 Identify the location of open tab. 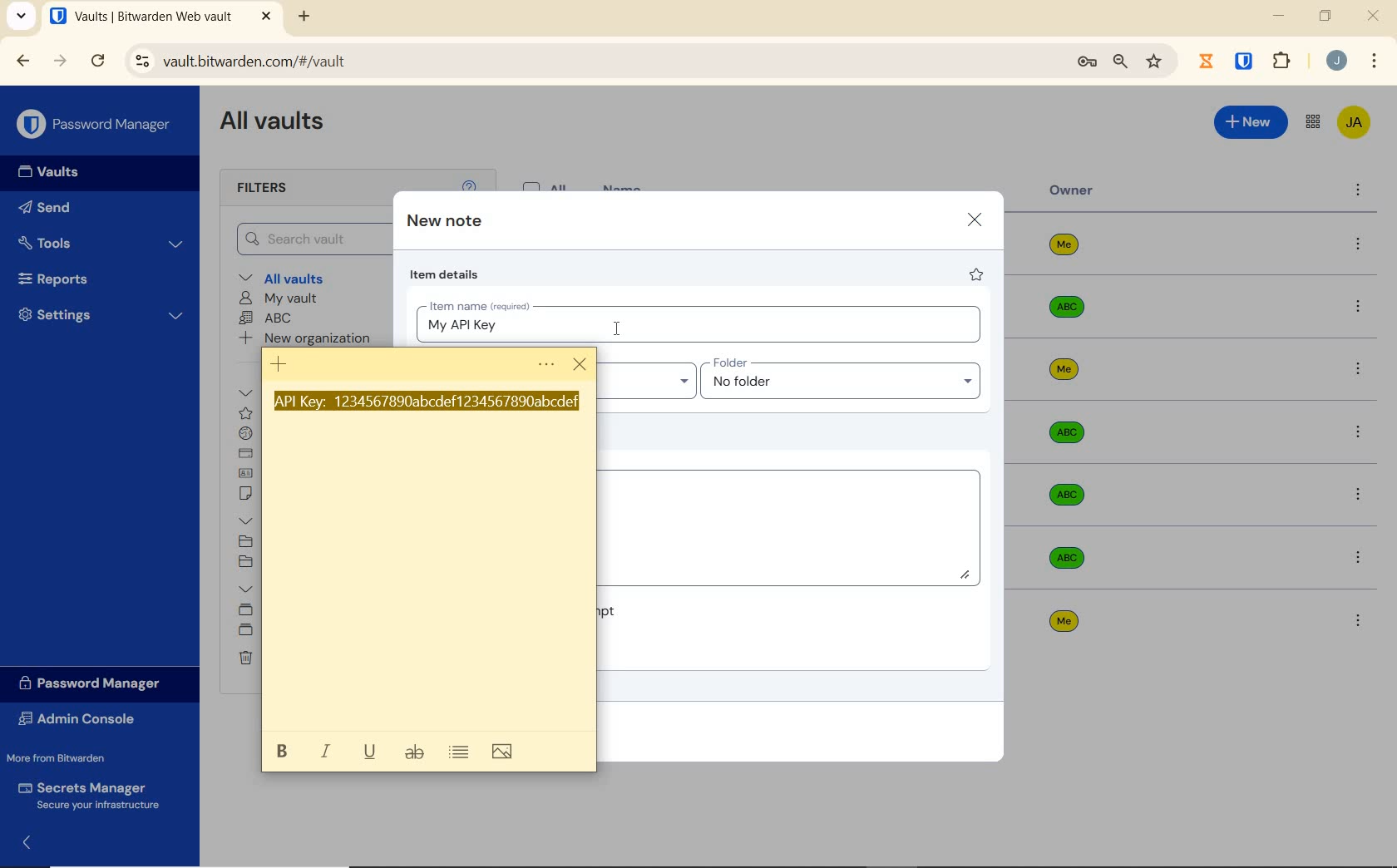
(141, 17).